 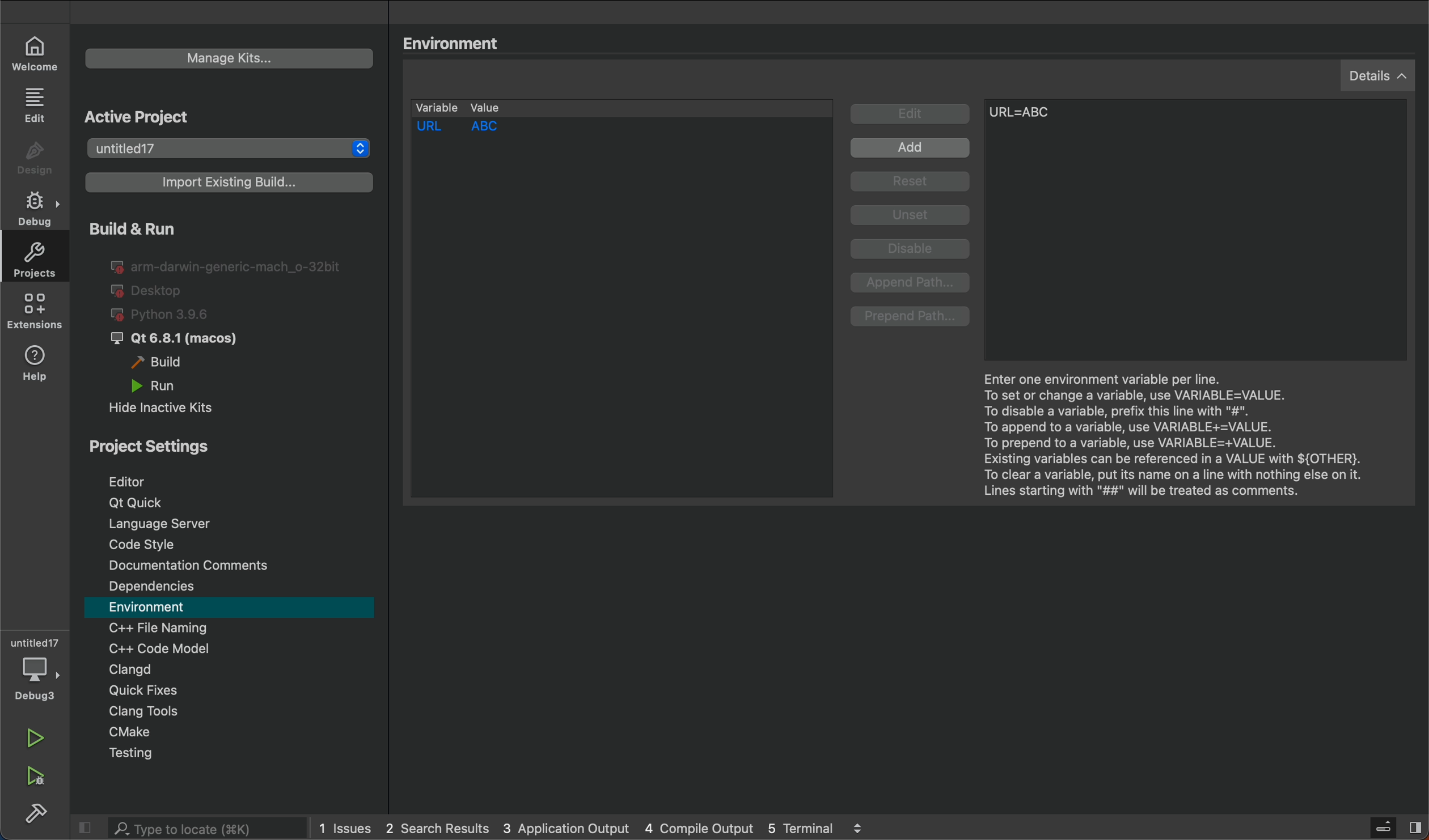 What do you see at coordinates (914, 251) in the screenshot?
I see `Disable` at bounding box center [914, 251].